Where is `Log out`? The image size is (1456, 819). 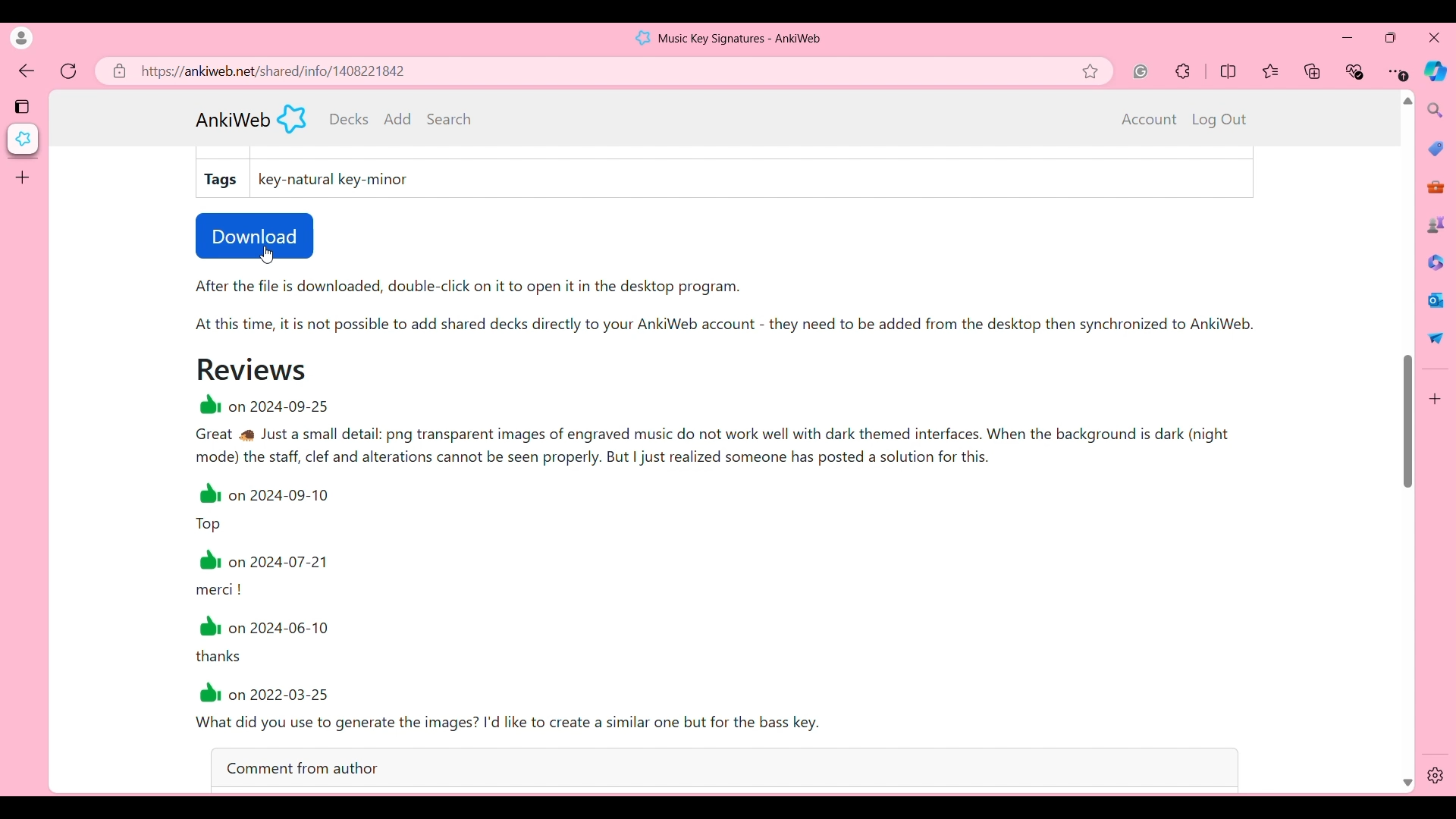
Log out is located at coordinates (1219, 120).